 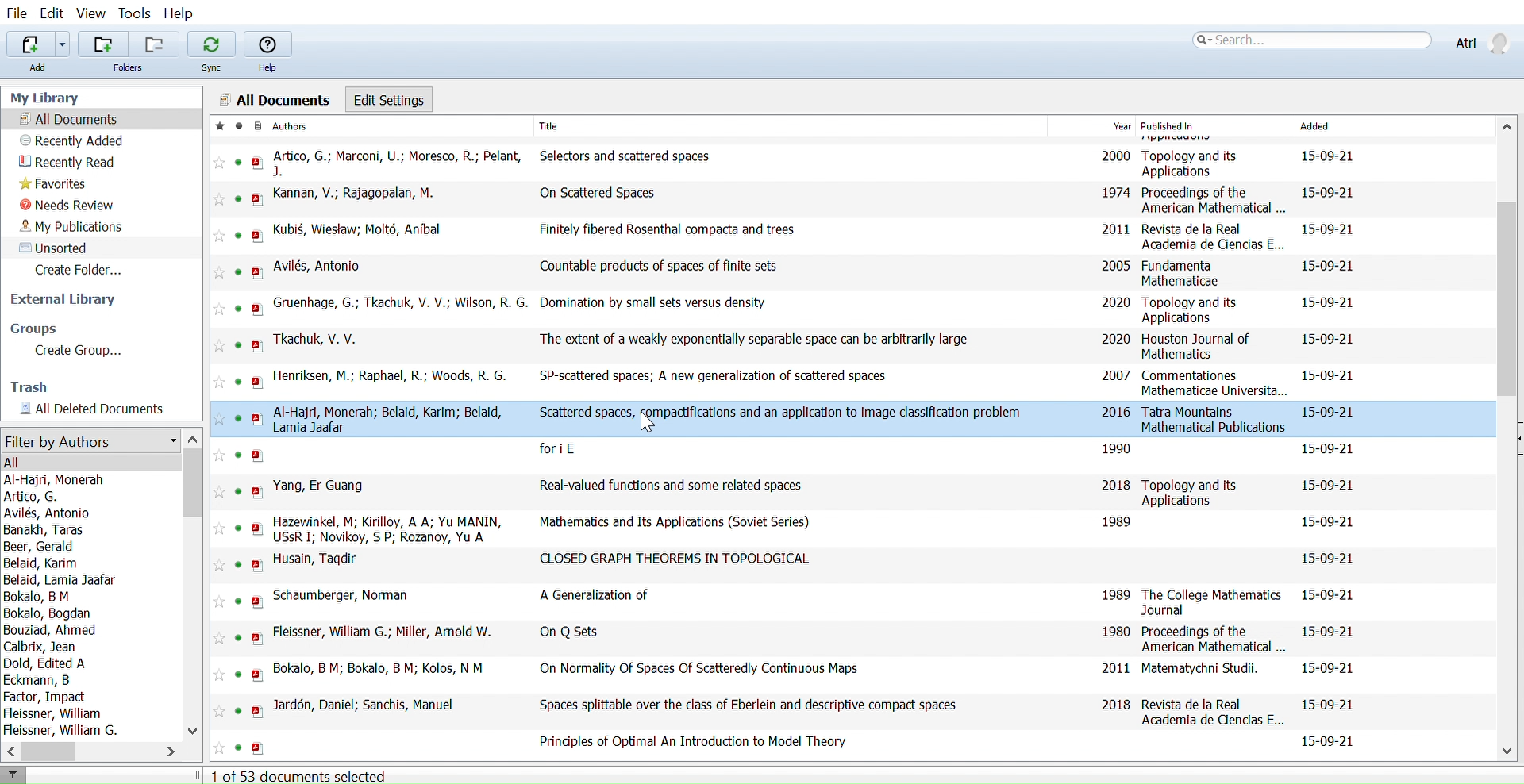 What do you see at coordinates (1214, 640) in the screenshot?
I see `Proceedings of the American Mathematical...` at bounding box center [1214, 640].